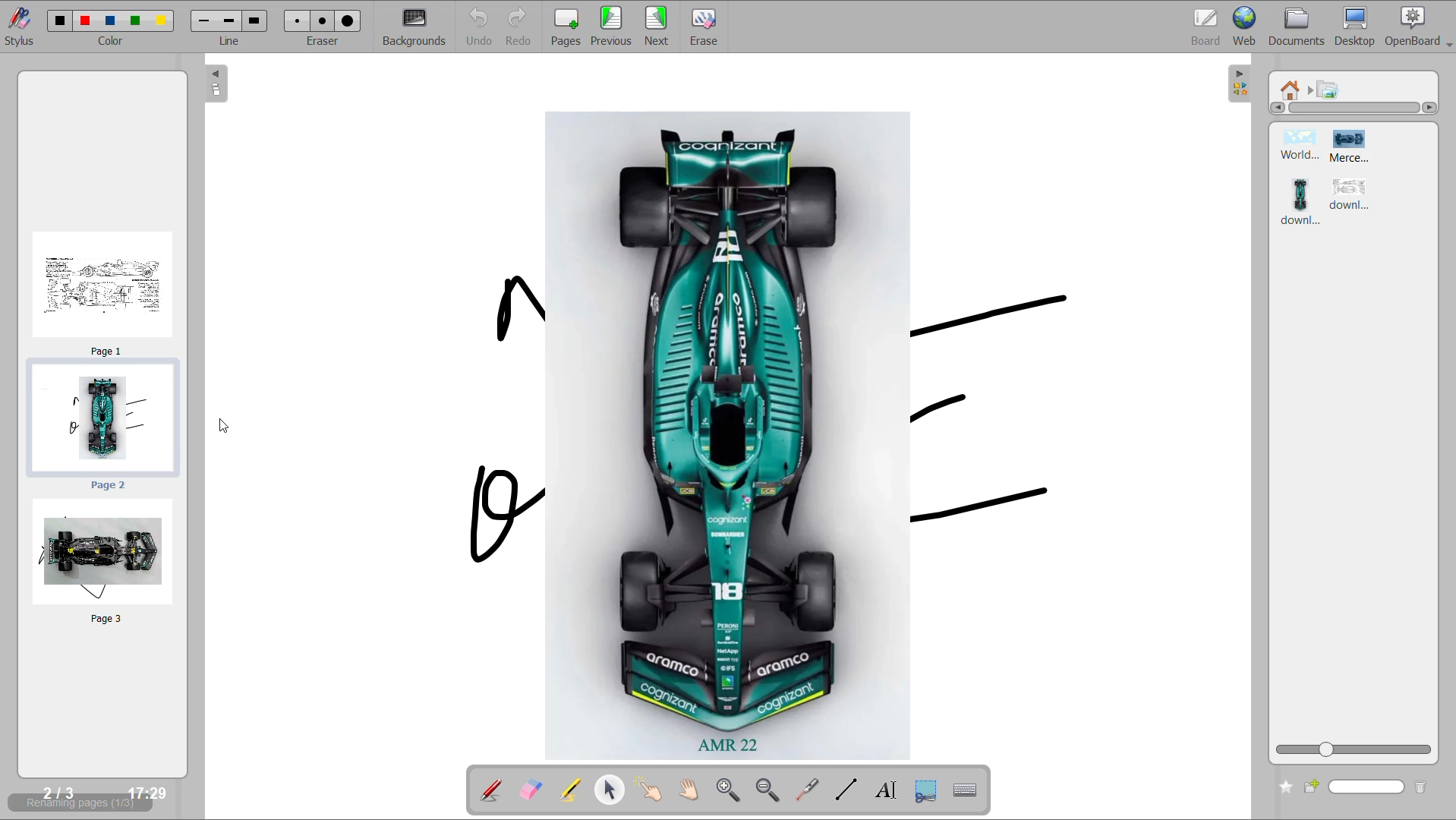 Image resolution: width=1456 pixels, height=820 pixels. What do you see at coordinates (758, 432) in the screenshot?
I see `image from current page` at bounding box center [758, 432].